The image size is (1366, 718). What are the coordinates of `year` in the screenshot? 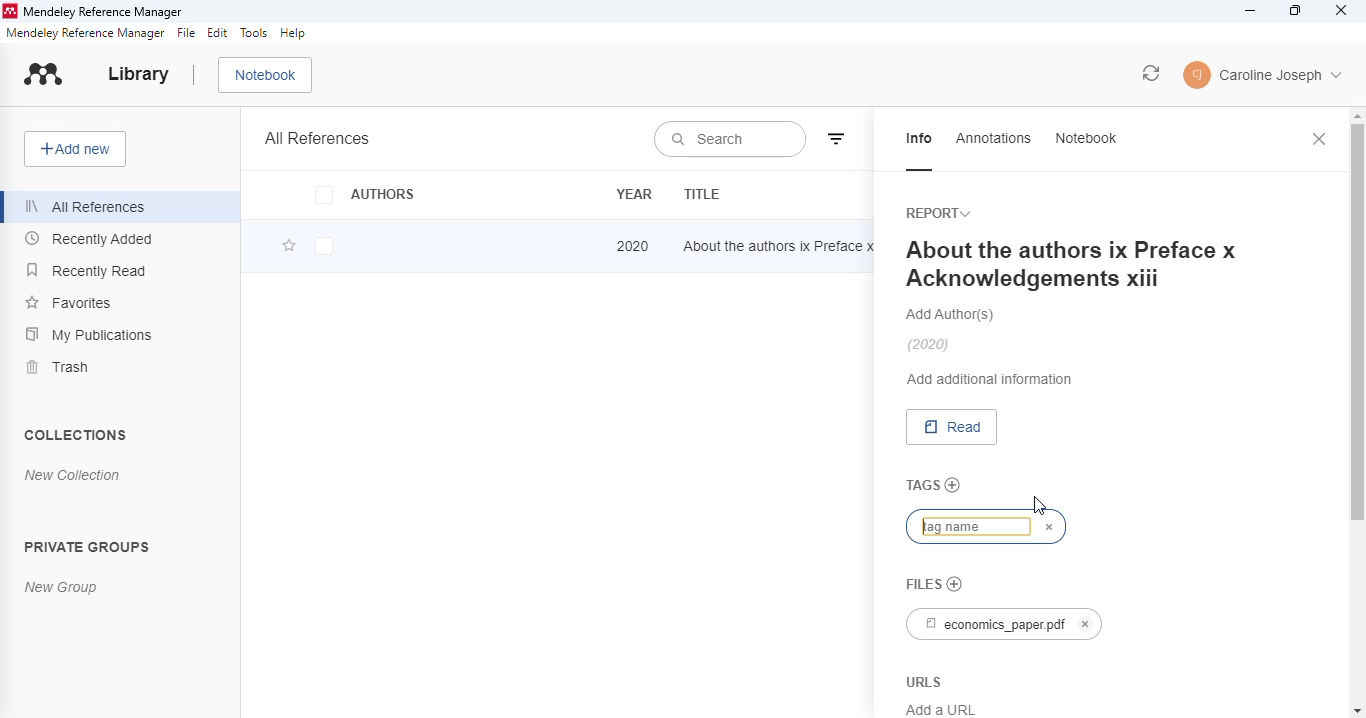 It's located at (635, 194).